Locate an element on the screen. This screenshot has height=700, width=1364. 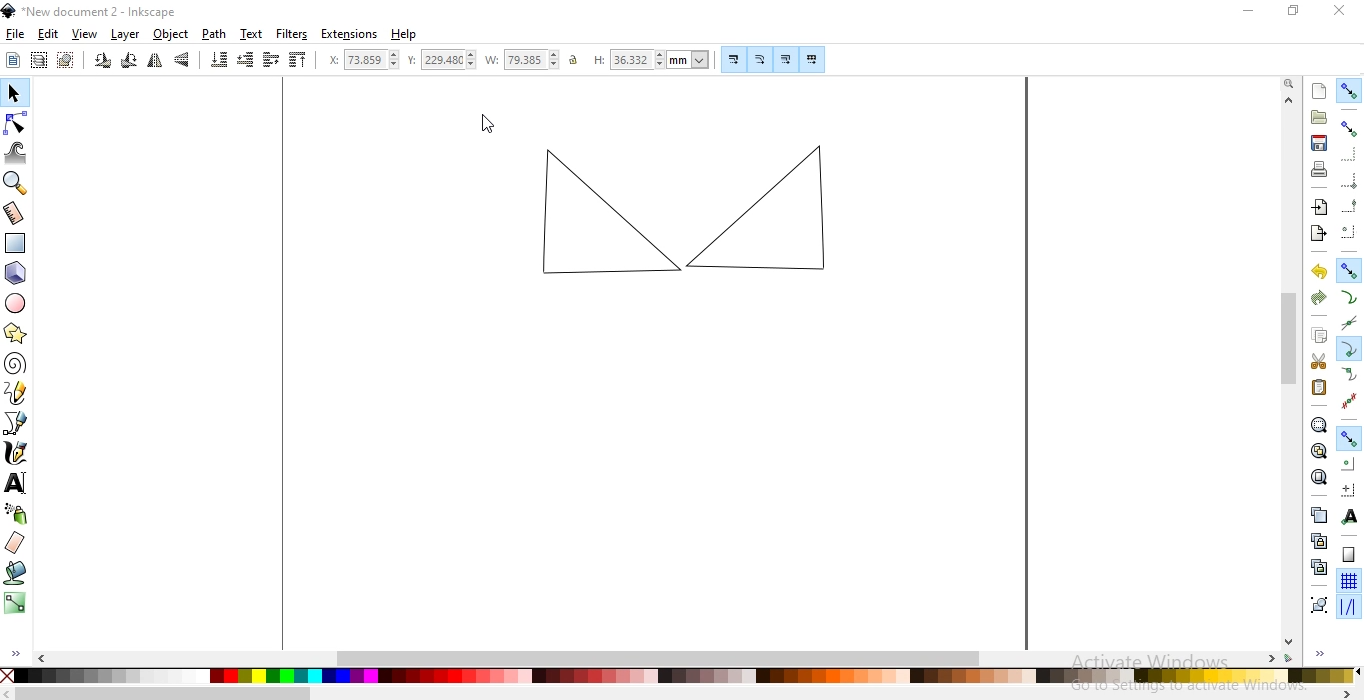
raise selection to top is located at coordinates (298, 60).